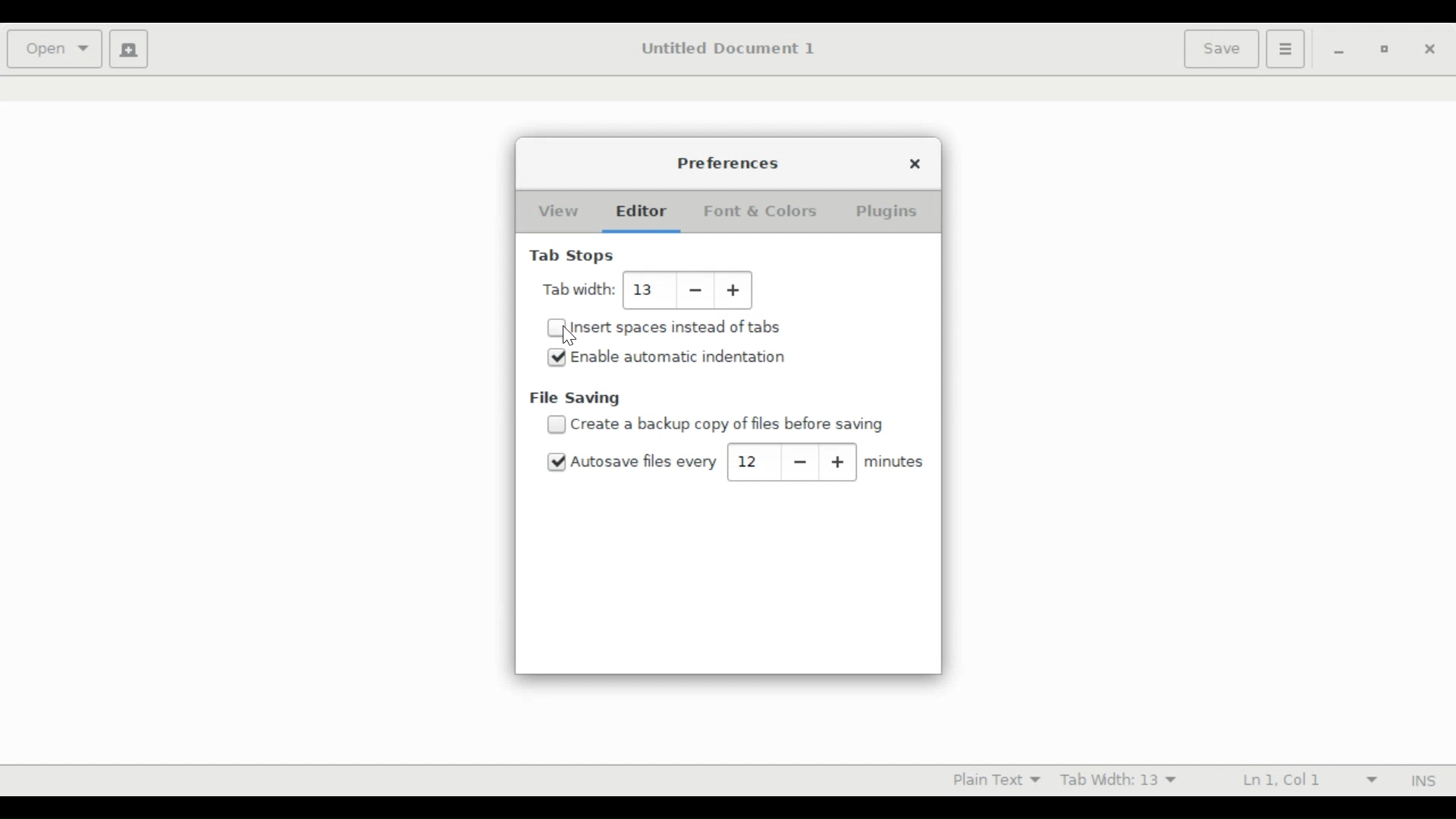  Describe the element at coordinates (558, 463) in the screenshot. I see `Selected` at that location.